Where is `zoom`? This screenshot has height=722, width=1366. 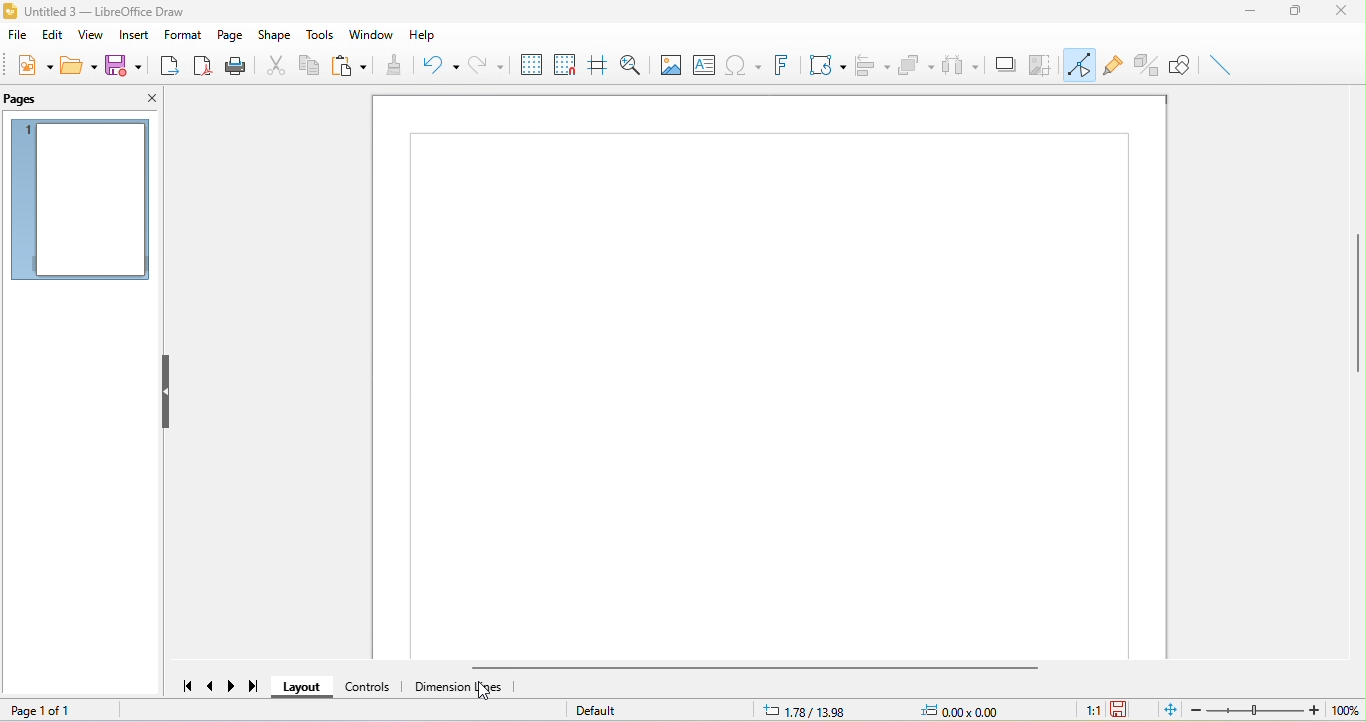 zoom is located at coordinates (1276, 711).